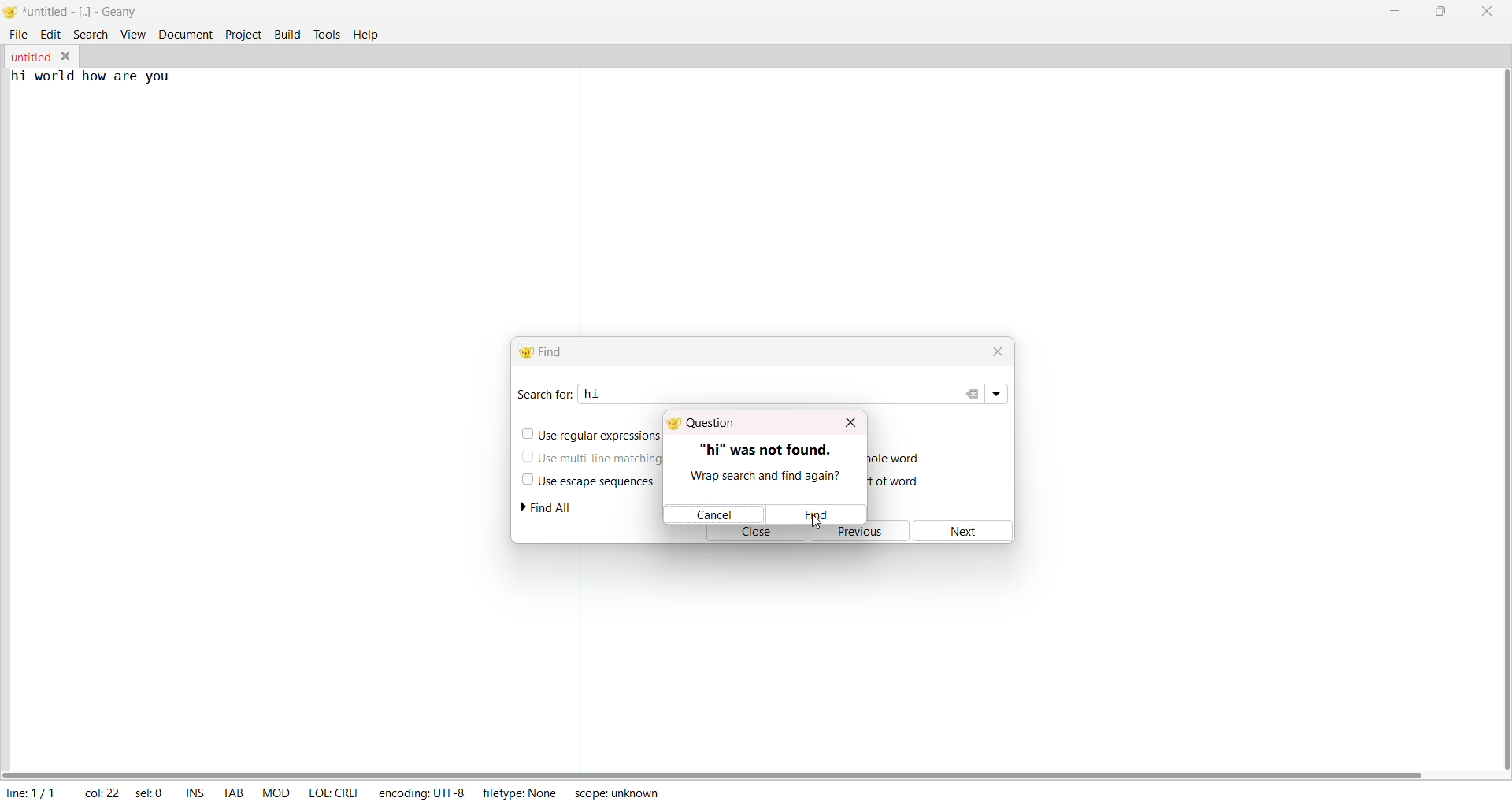  I want to click on question, so click(702, 420).